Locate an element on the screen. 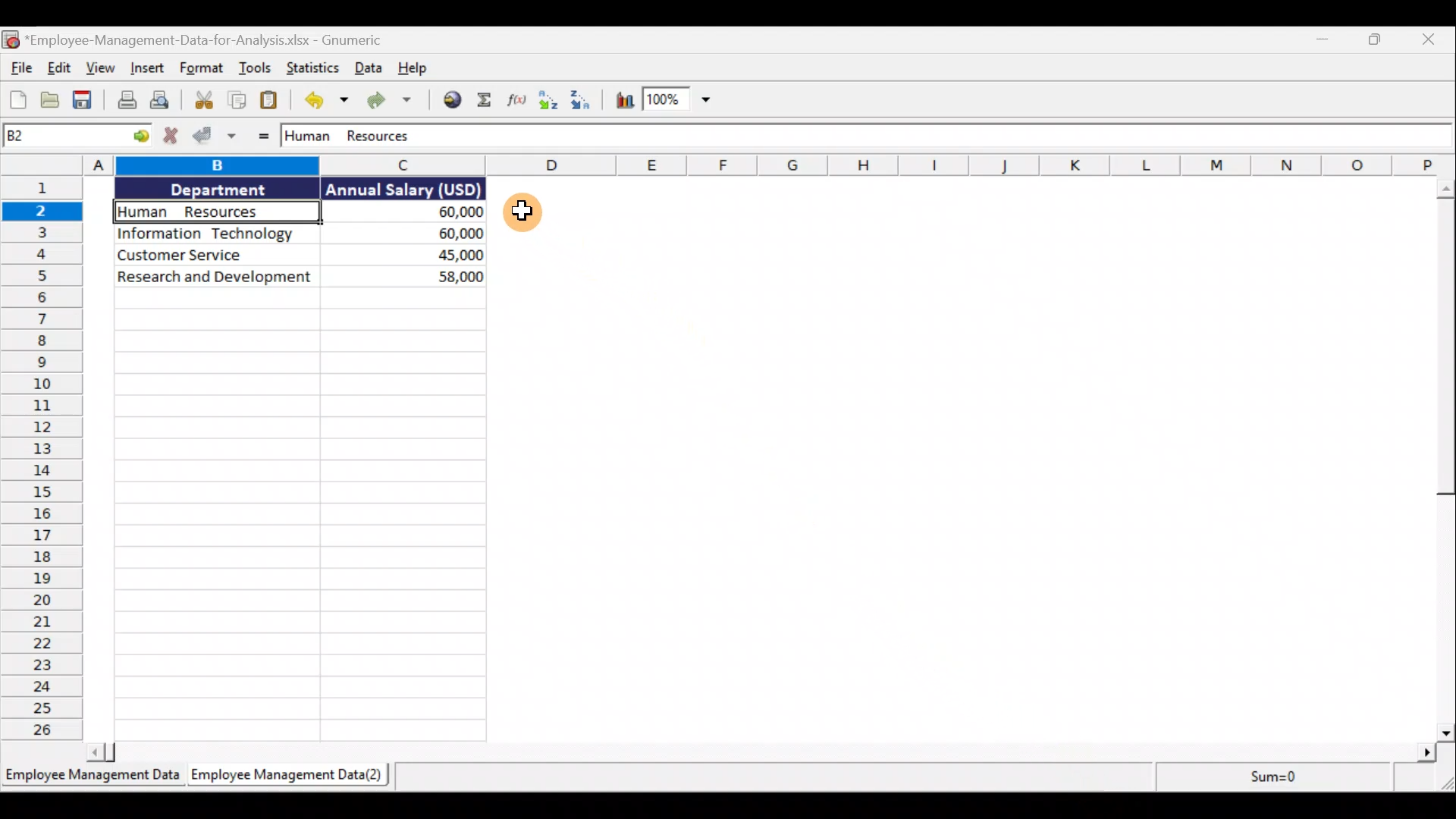 Image resolution: width=1456 pixels, height=819 pixels. Maximise is located at coordinates (1369, 45).